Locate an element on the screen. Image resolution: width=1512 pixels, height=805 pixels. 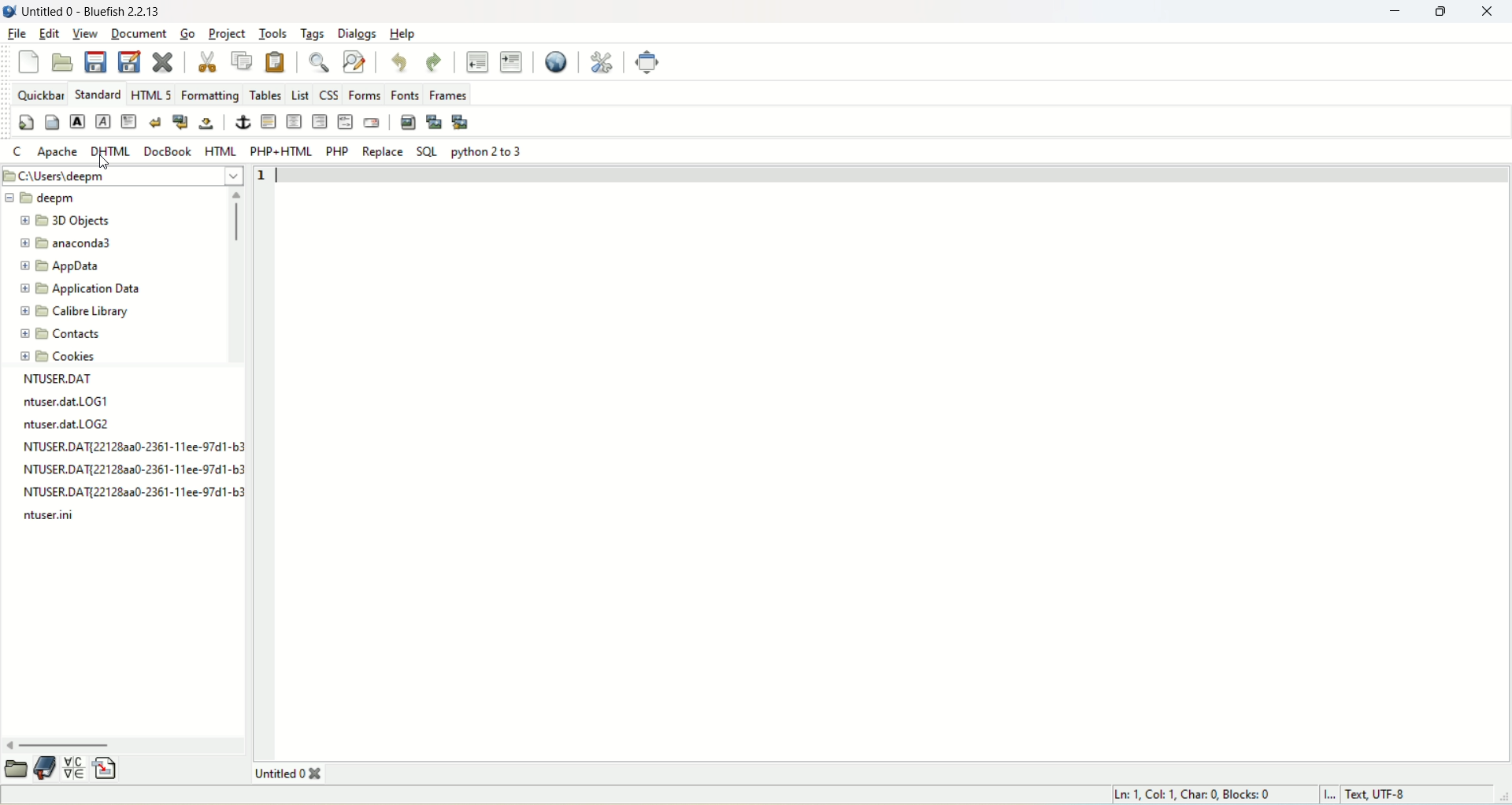
contacts is located at coordinates (61, 335).